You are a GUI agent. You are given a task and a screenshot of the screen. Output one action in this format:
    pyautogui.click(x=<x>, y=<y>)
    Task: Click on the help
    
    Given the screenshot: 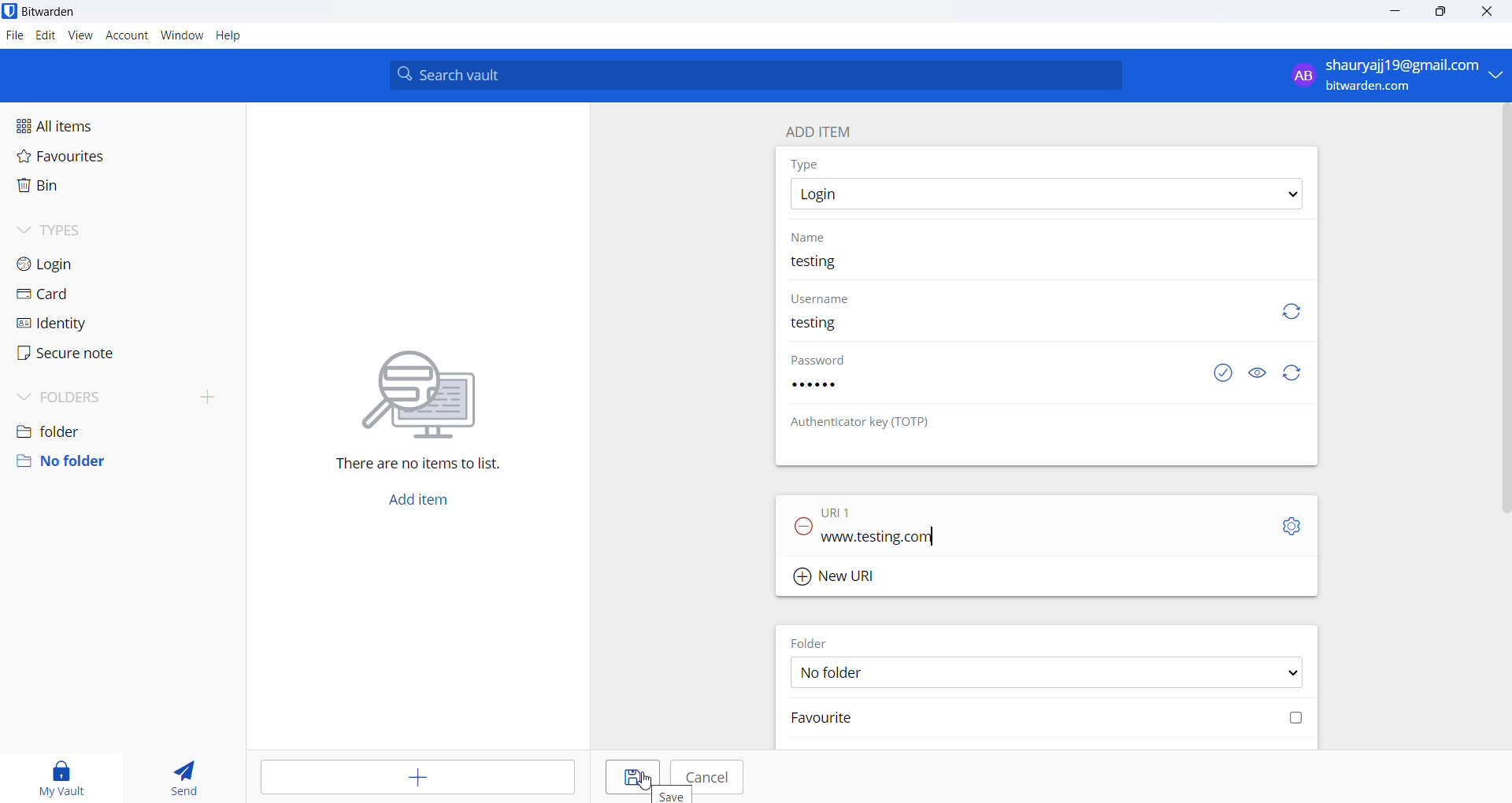 What is the action you would take?
    pyautogui.click(x=231, y=37)
    